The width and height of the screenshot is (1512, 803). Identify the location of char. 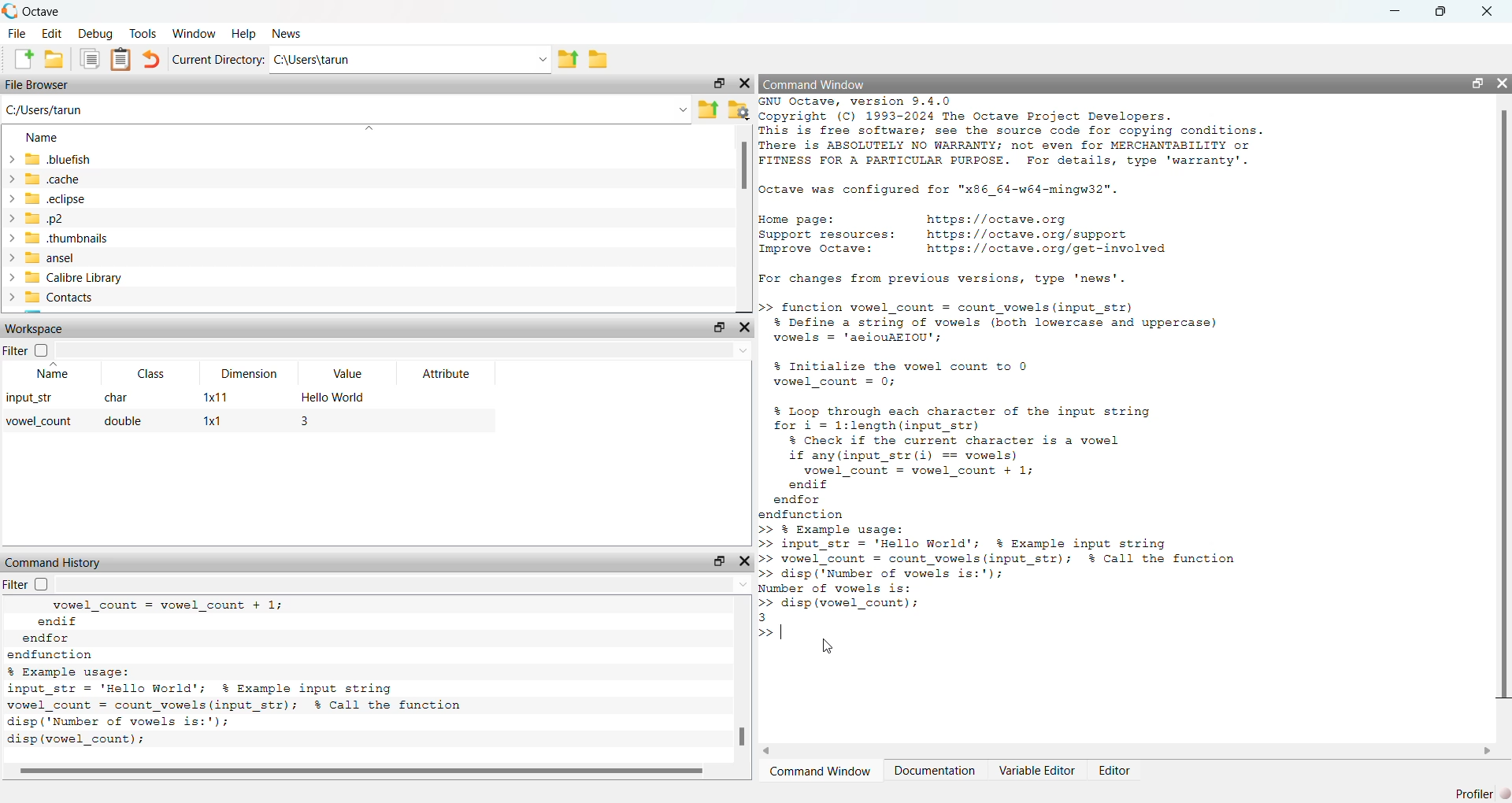
(114, 398).